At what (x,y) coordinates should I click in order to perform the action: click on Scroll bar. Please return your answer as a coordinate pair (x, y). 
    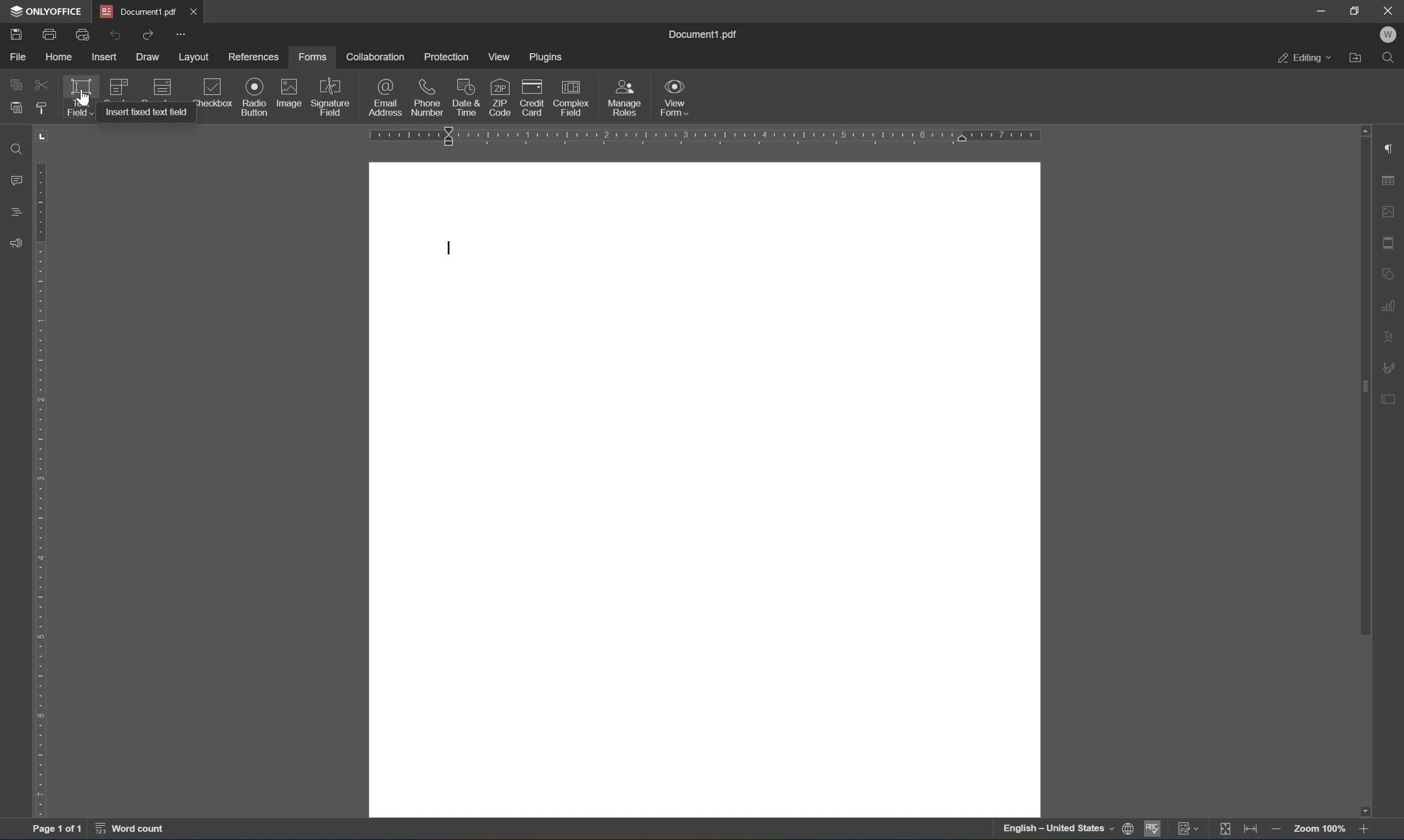
    Looking at the image, I should click on (1363, 381).